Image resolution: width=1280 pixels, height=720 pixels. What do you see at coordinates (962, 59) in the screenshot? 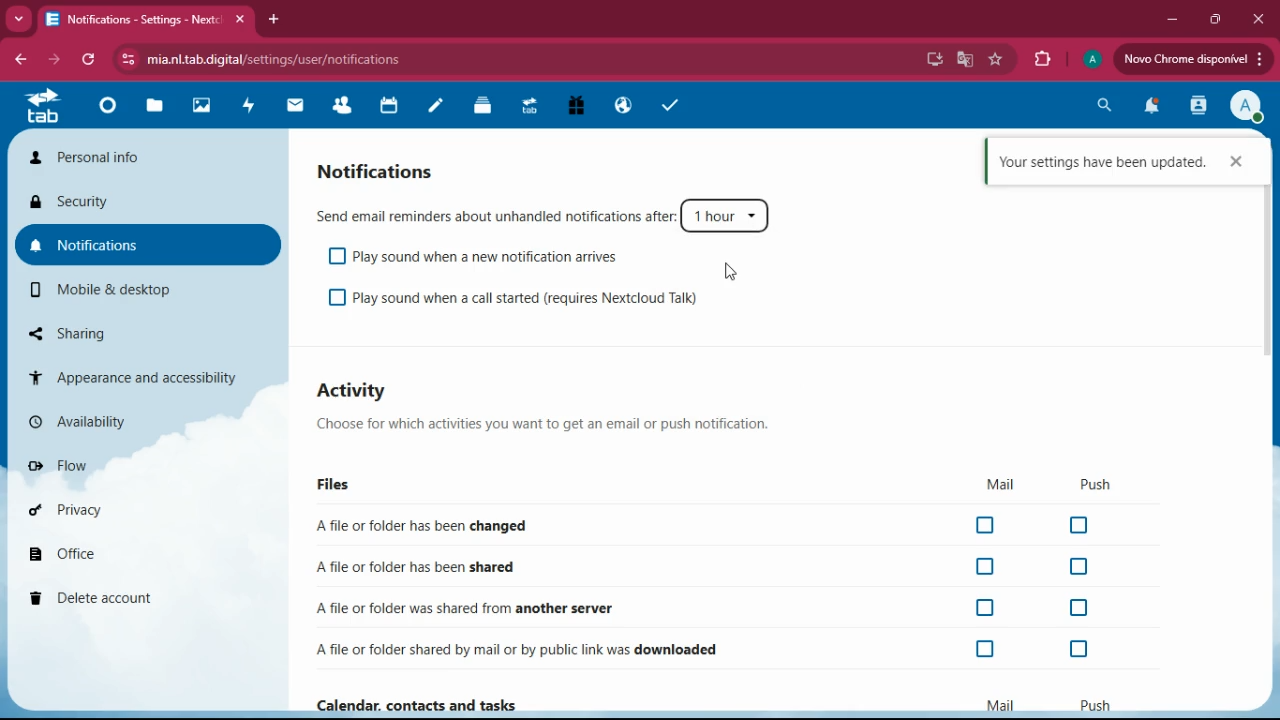
I see `google translate` at bounding box center [962, 59].